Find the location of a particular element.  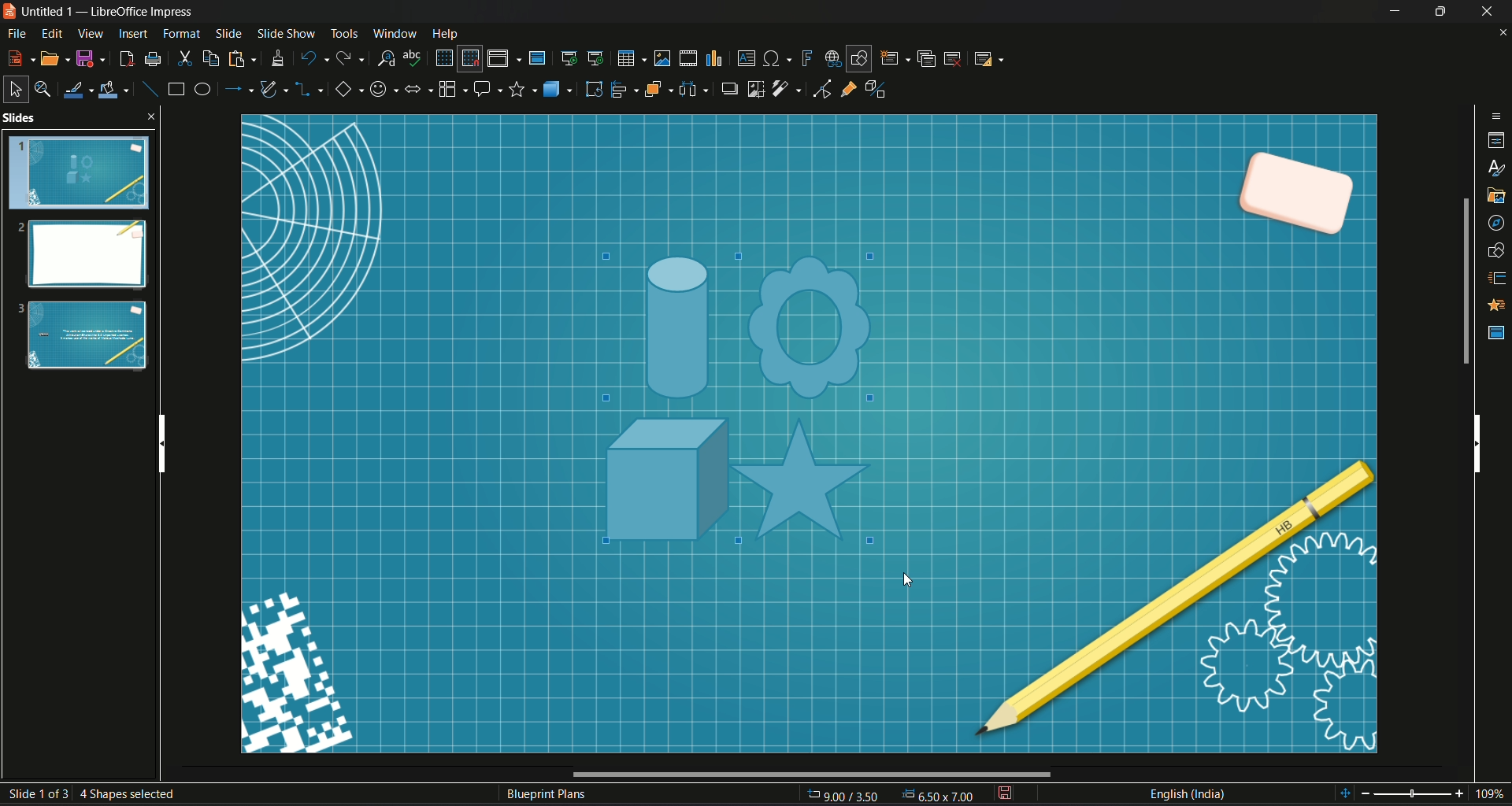

ellipse is located at coordinates (201, 88).